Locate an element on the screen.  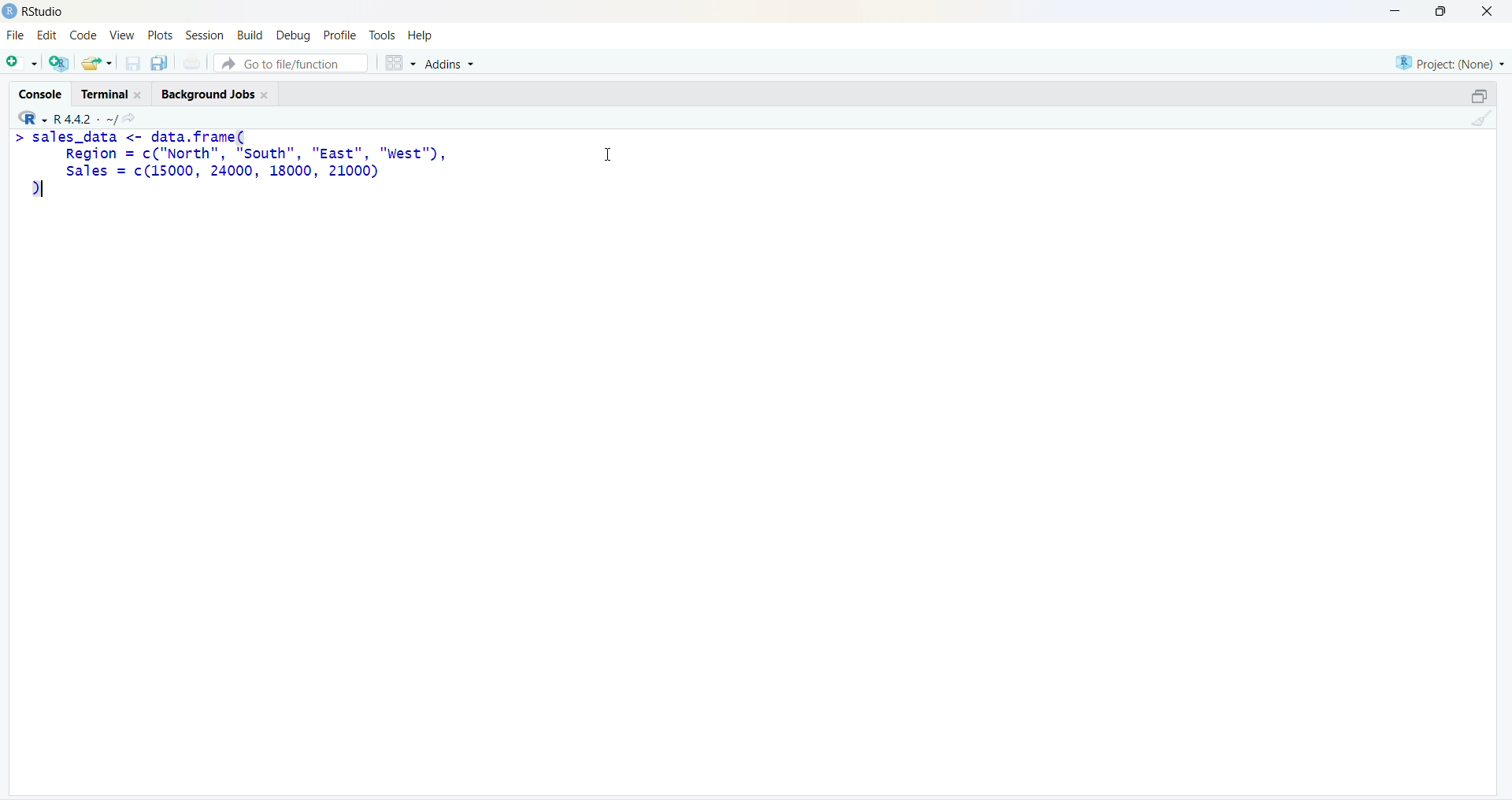
- R442 - ~/ is located at coordinates (87, 116).